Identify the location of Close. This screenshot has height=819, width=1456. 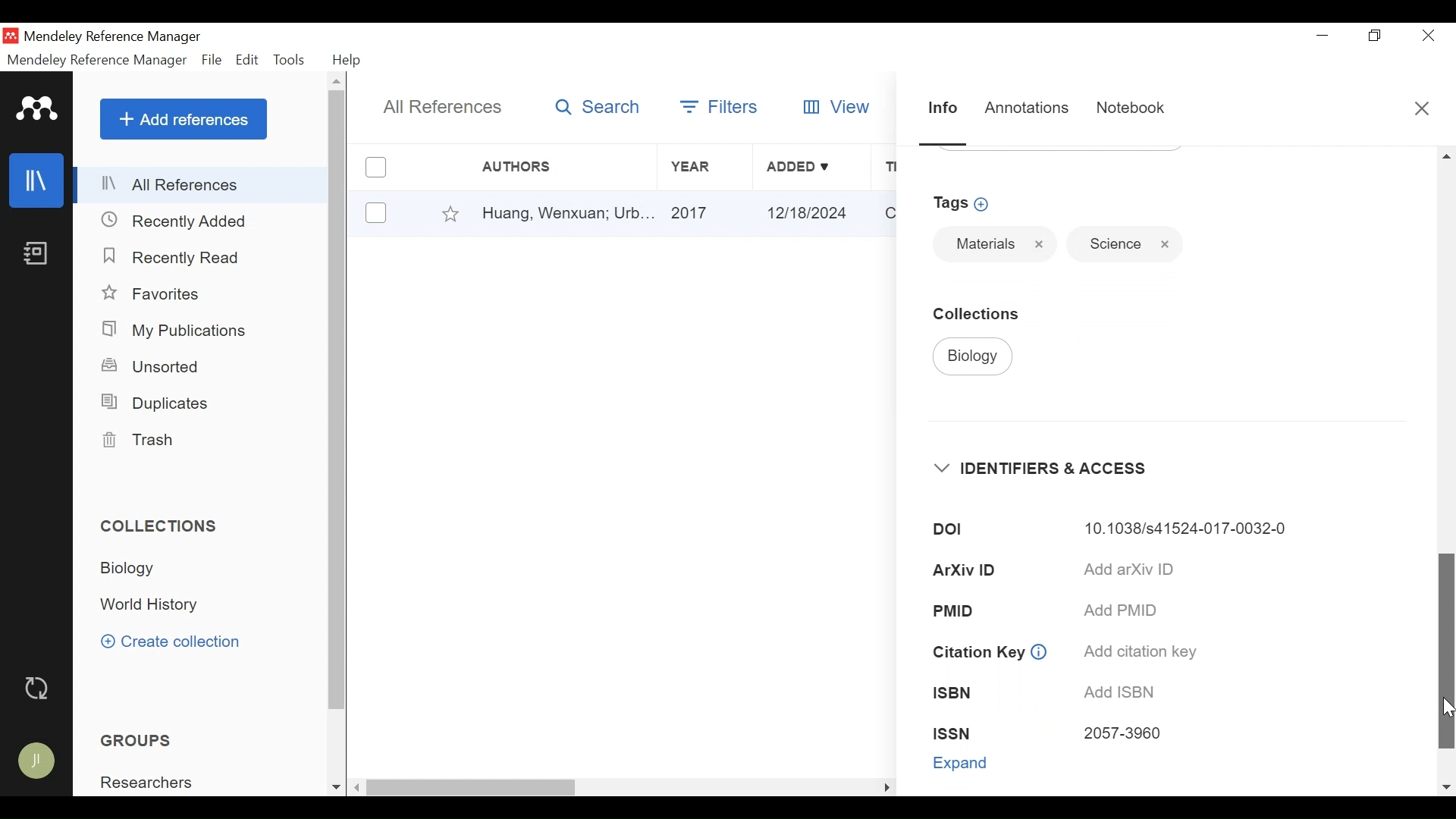
(1420, 107).